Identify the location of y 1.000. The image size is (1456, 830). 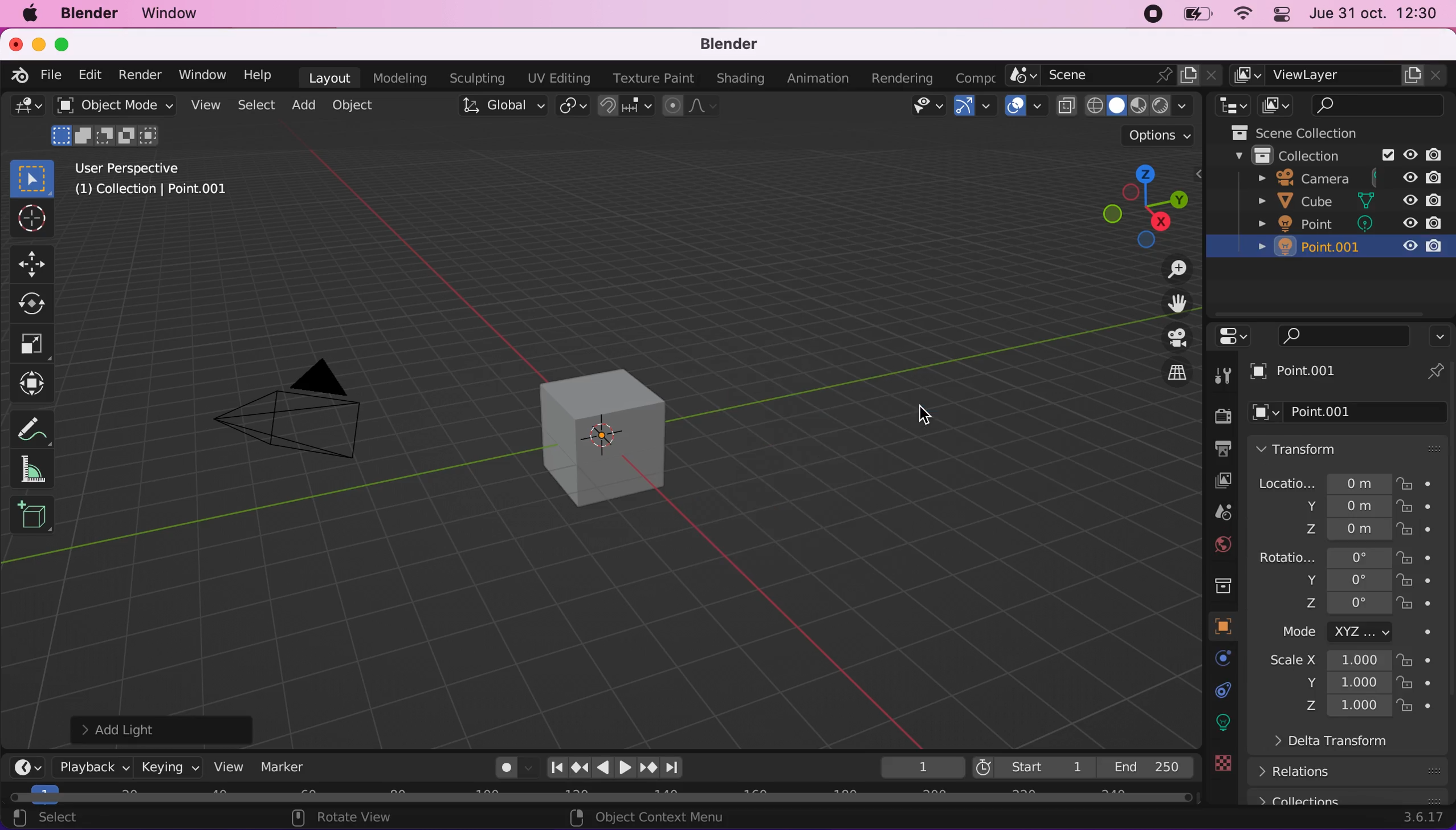
(1341, 682).